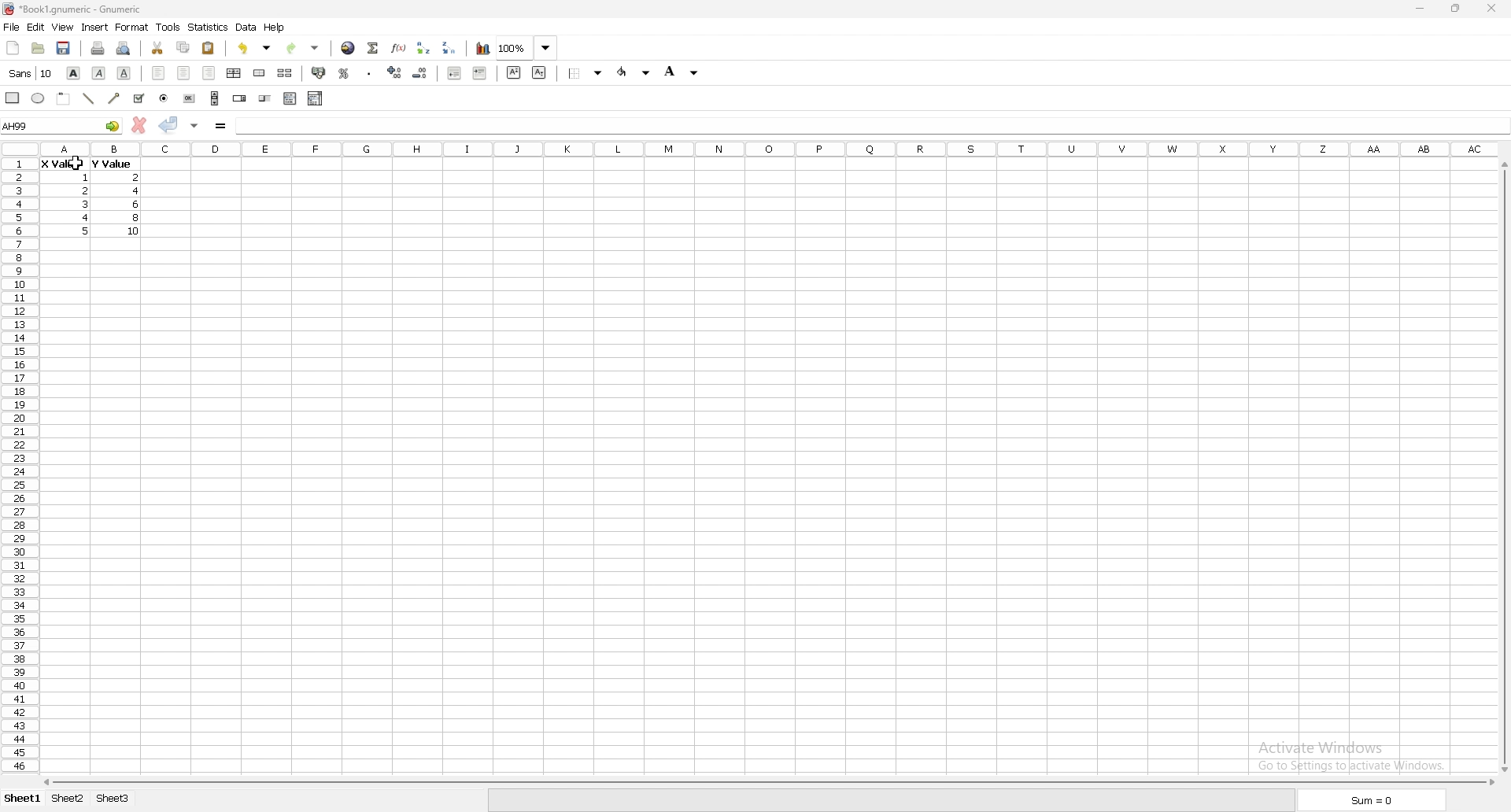 This screenshot has width=1511, height=812. Describe the element at coordinates (183, 47) in the screenshot. I see `copy` at that location.